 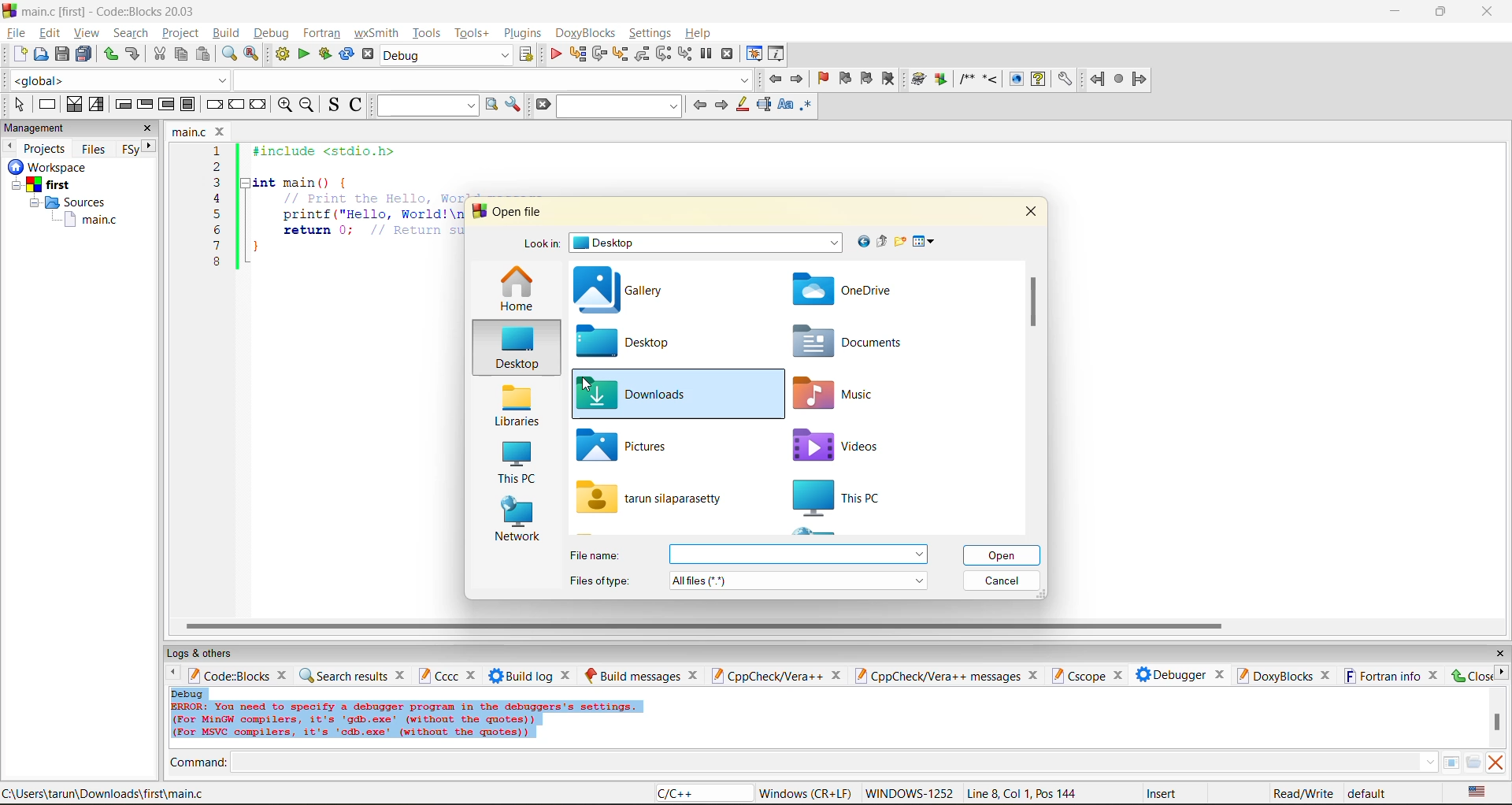 I want to click on decision, so click(x=73, y=104).